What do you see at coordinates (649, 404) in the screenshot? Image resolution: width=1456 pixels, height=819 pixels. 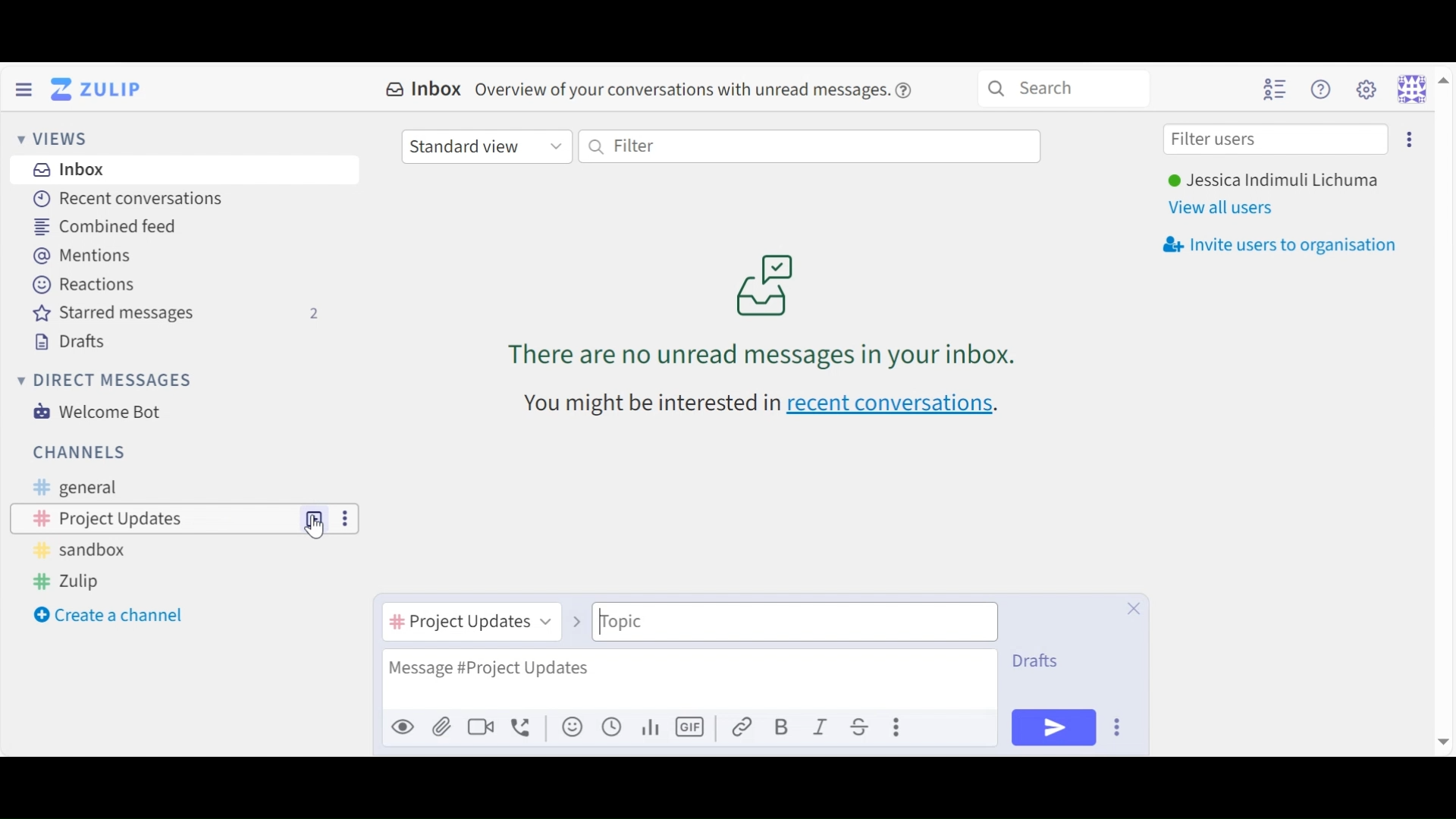 I see `text` at bounding box center [649, 404].